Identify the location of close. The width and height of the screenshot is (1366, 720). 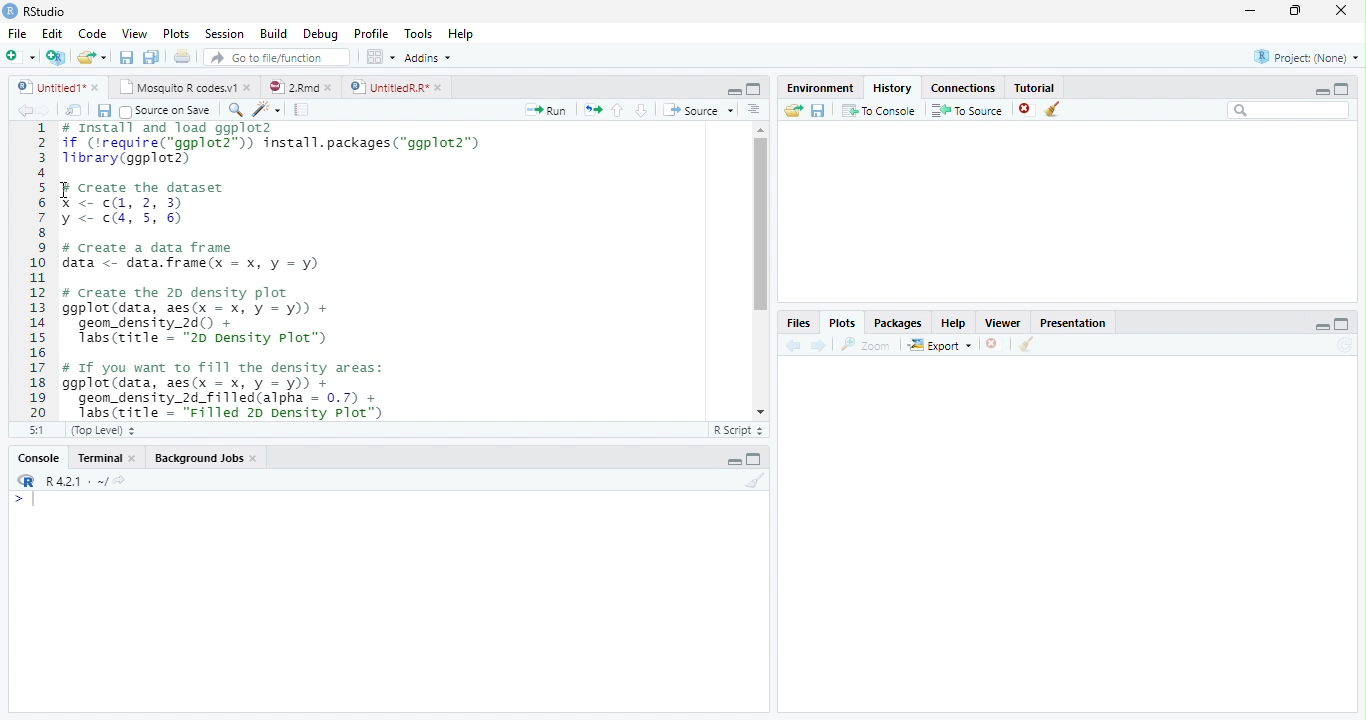
(440, 87).